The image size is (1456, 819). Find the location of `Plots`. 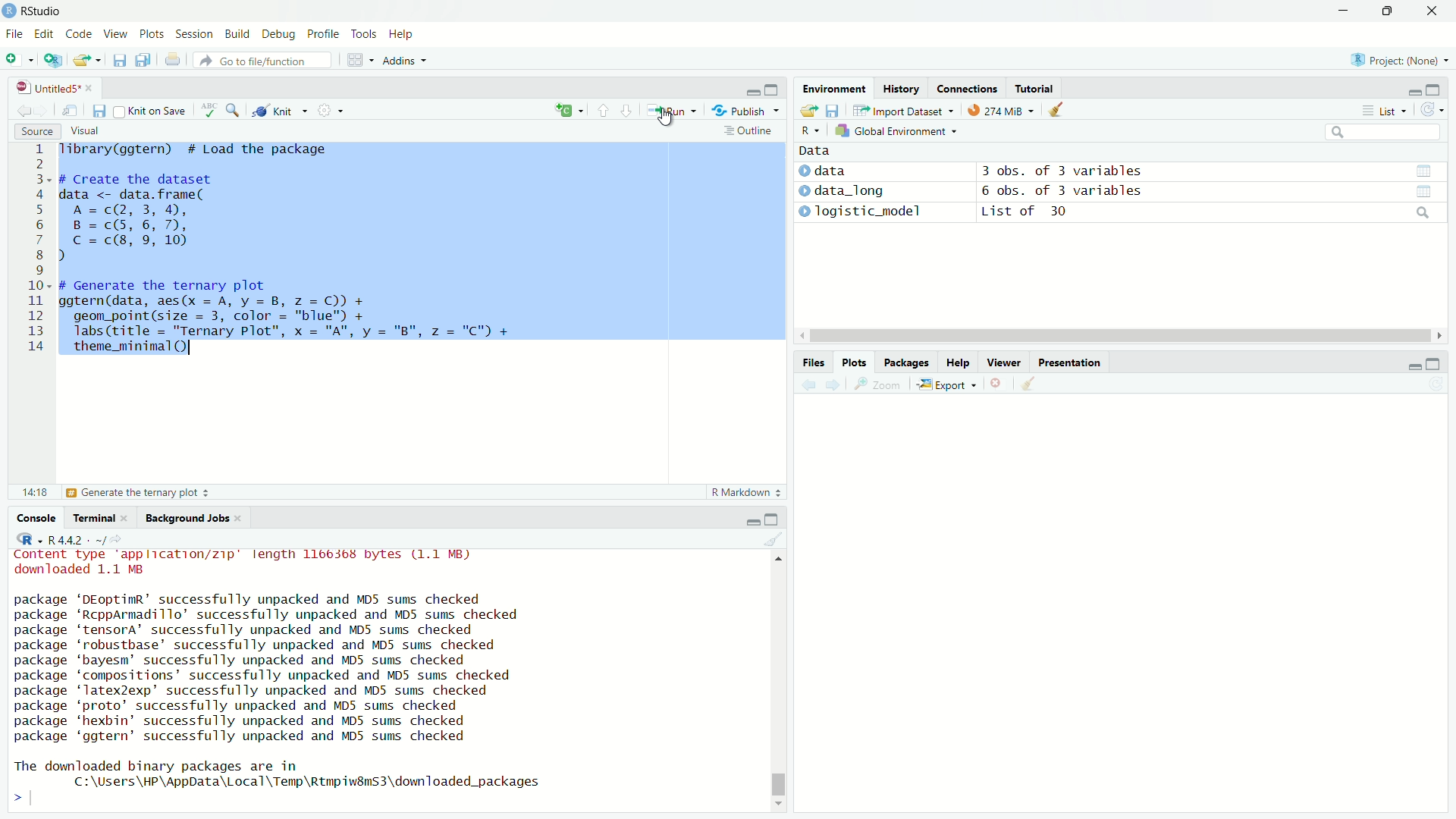

Plots is located at coordinates (149, 35).